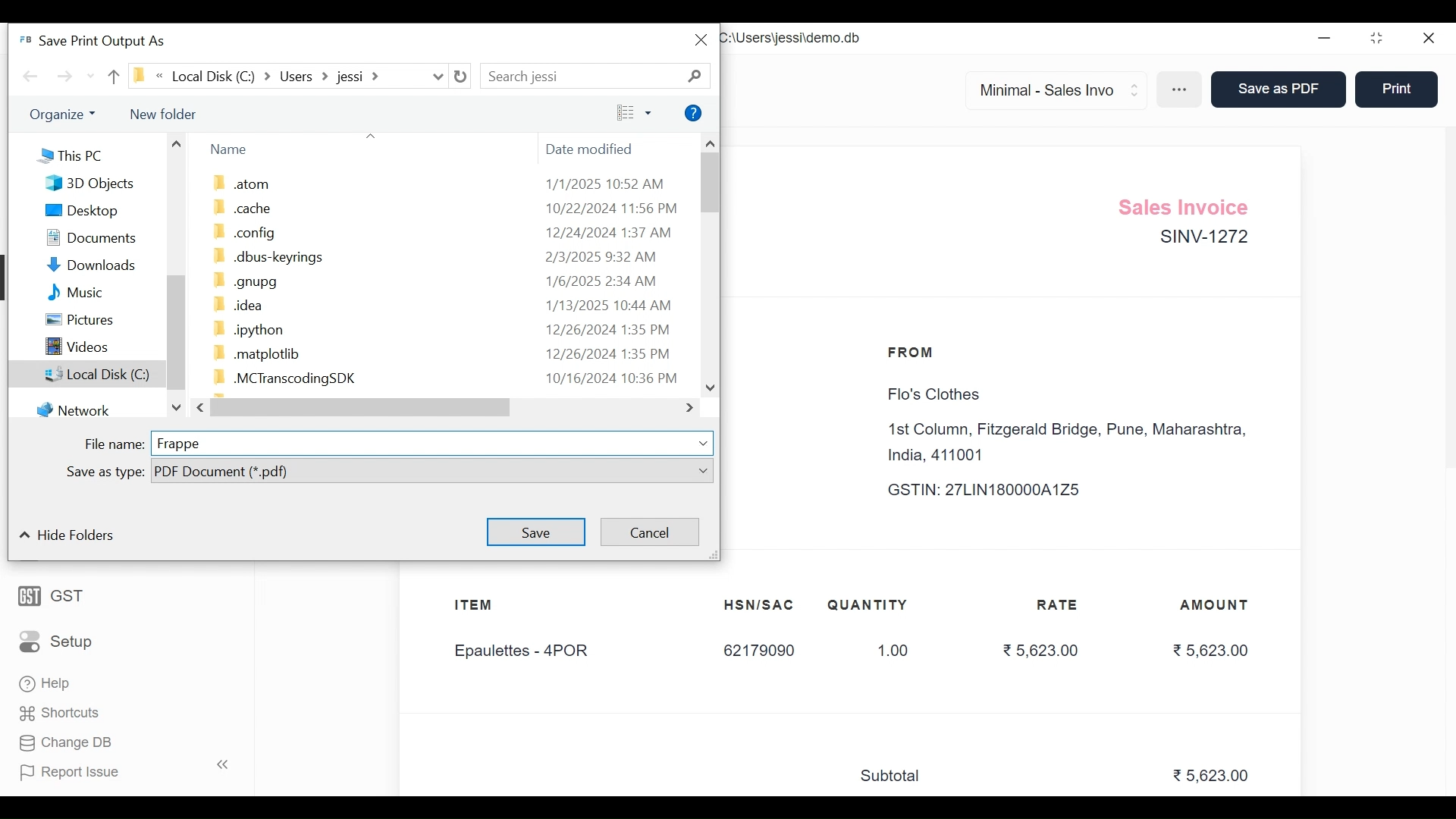  I want to click on .dbus-keyrings, so click(269, 257).